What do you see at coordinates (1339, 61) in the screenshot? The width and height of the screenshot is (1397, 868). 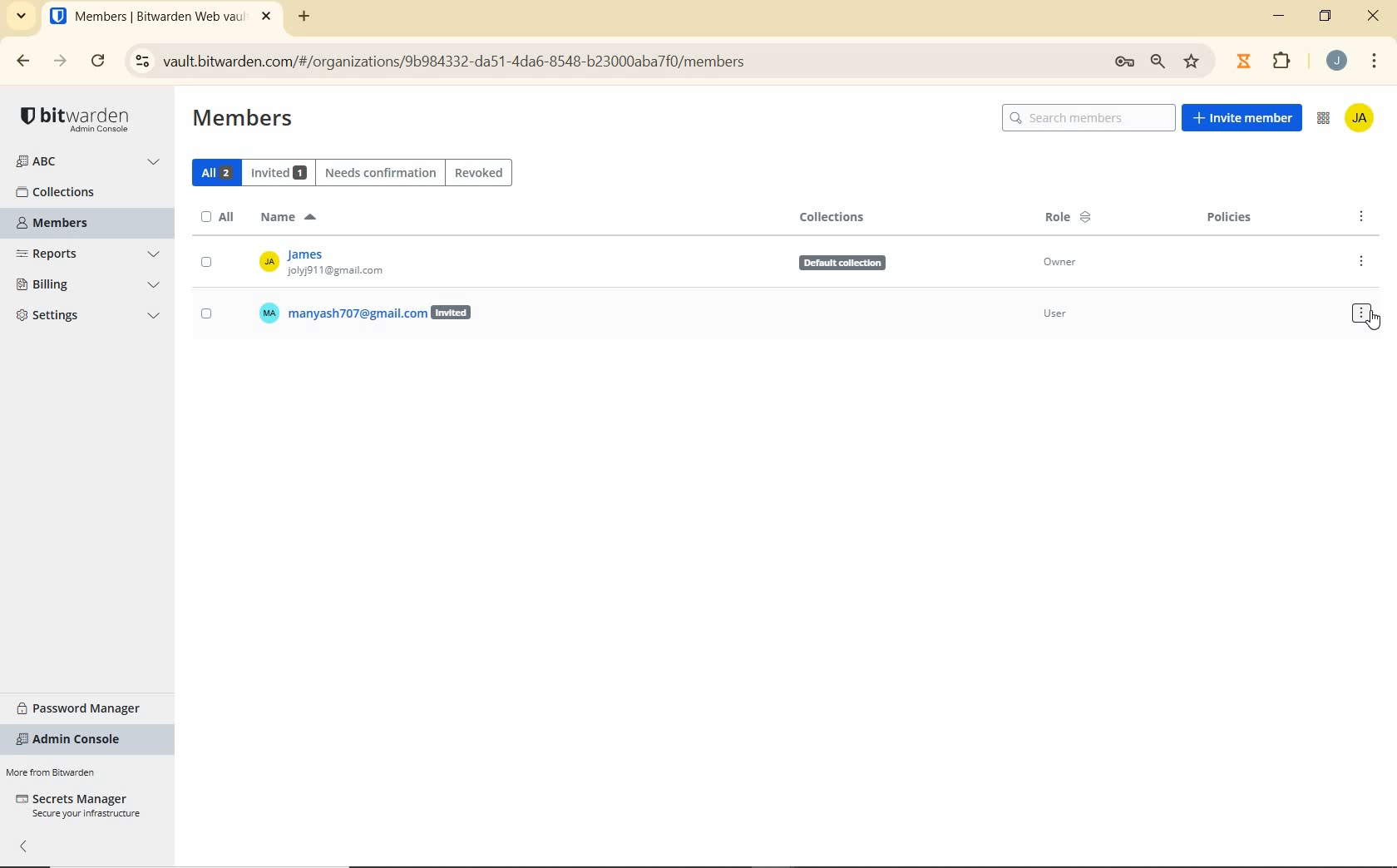 I see `ACCOUNT NAME` at bounding box center [1339, 61].